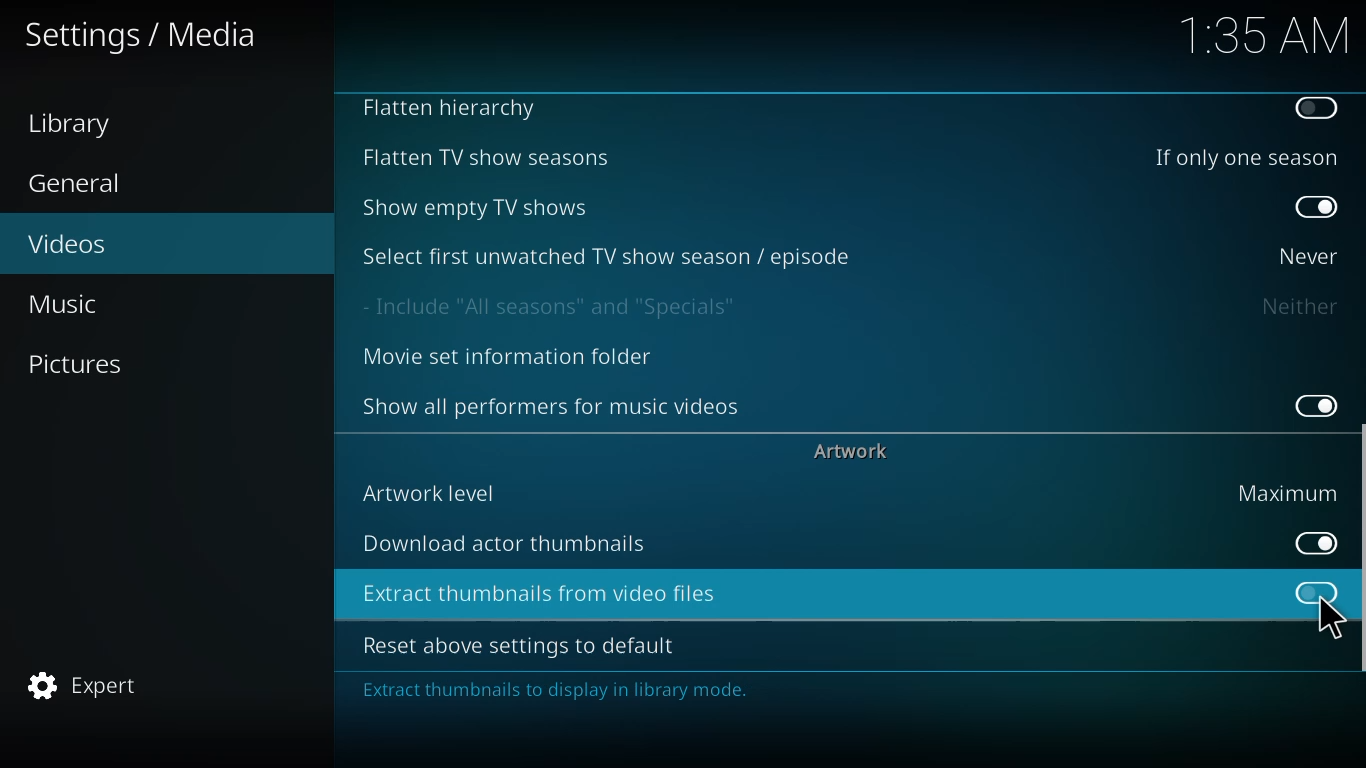 The height and width of the screenshot is (768, 1366). Describe the element at coordinates (479, 207) in the screenshot. I see `show empty tv shows` at that location.